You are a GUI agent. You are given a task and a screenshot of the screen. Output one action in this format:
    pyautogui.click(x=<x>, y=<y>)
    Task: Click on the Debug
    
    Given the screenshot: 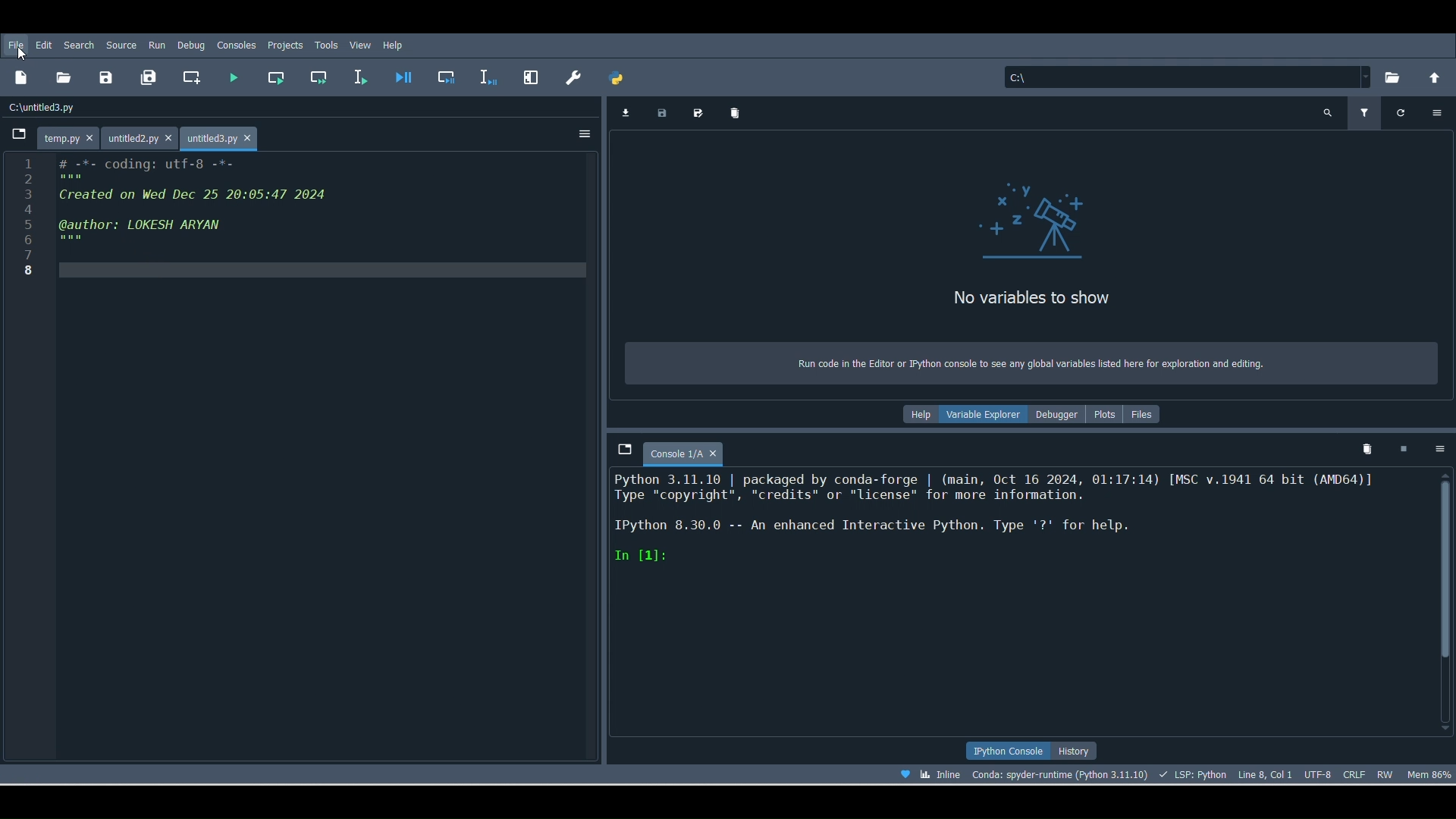 What is the action you would take?
    pyautogui.click(x=190, y=45)
    